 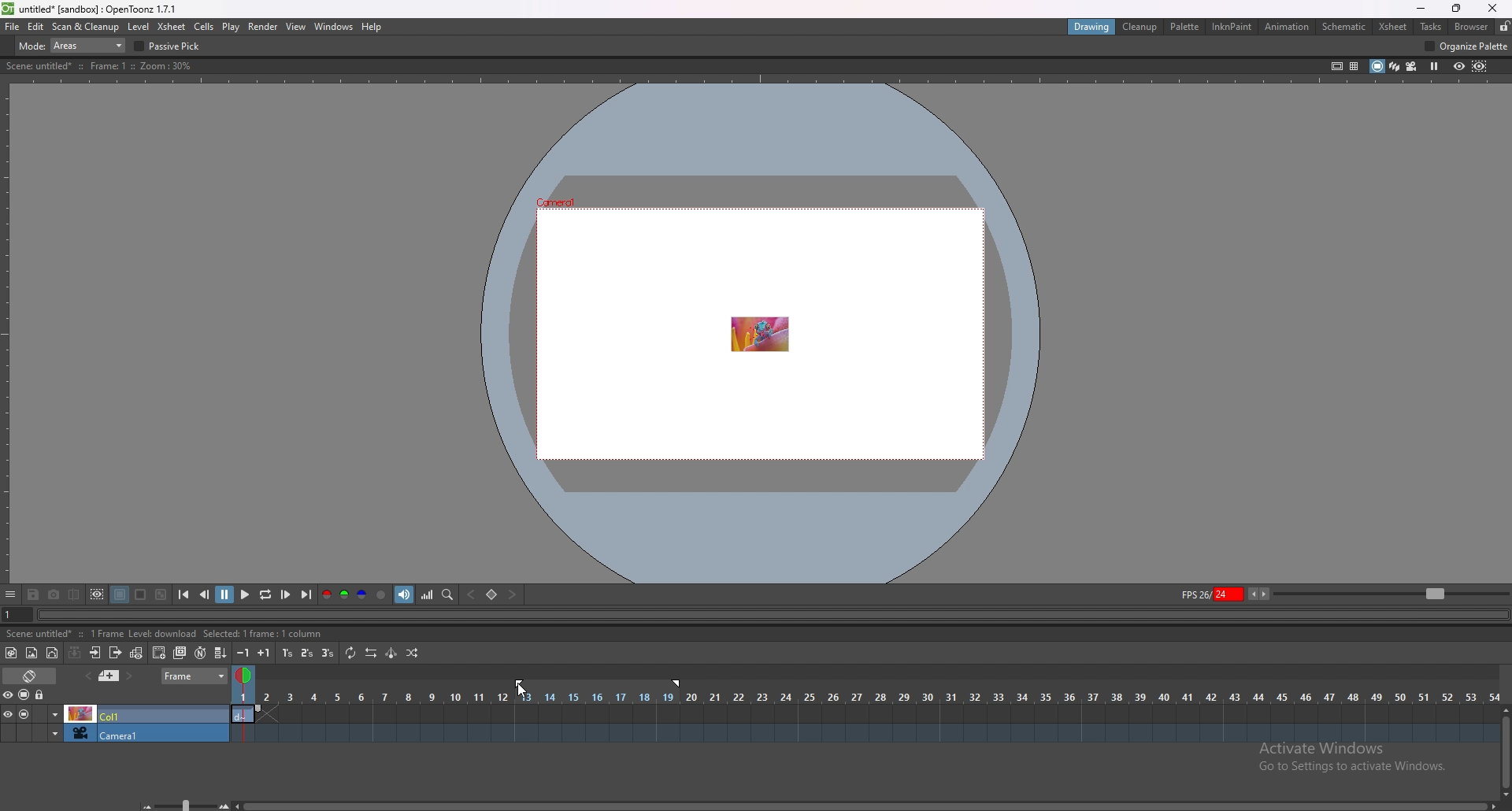 I want to click on play, so click(x=231, y=28).